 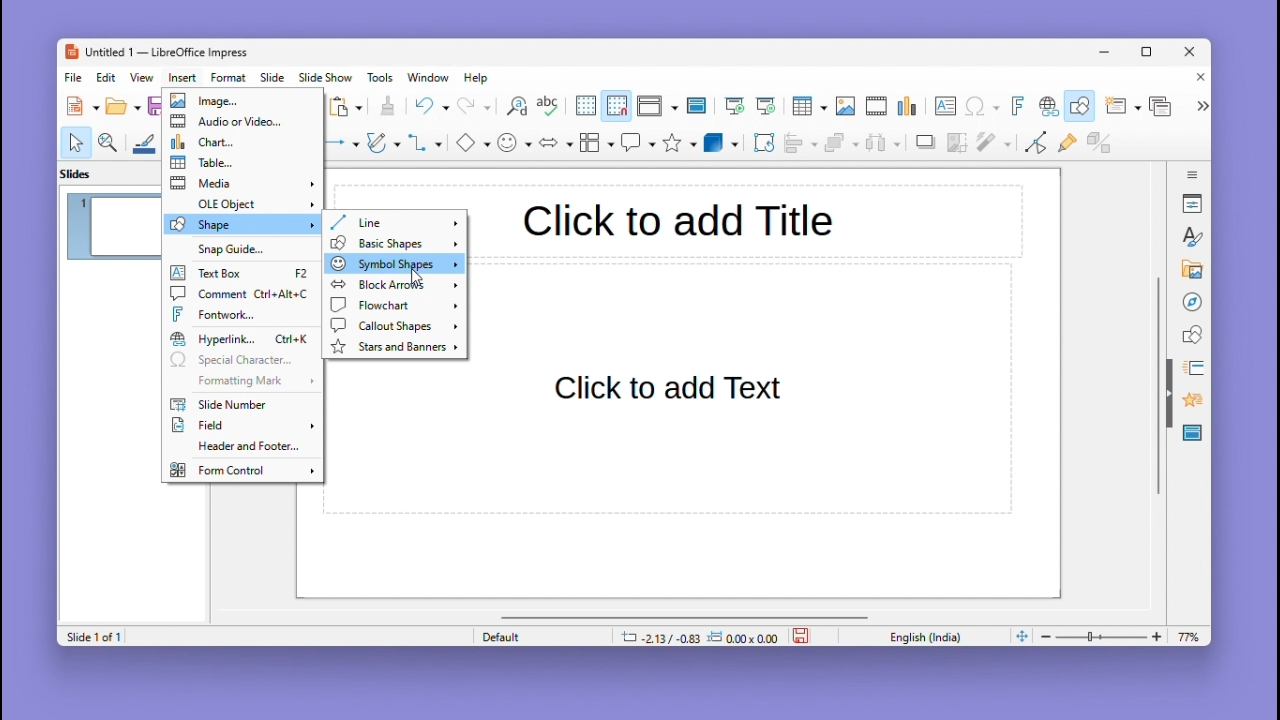 I want to click on Hyperlink for mat, so click(x=243, y=339).